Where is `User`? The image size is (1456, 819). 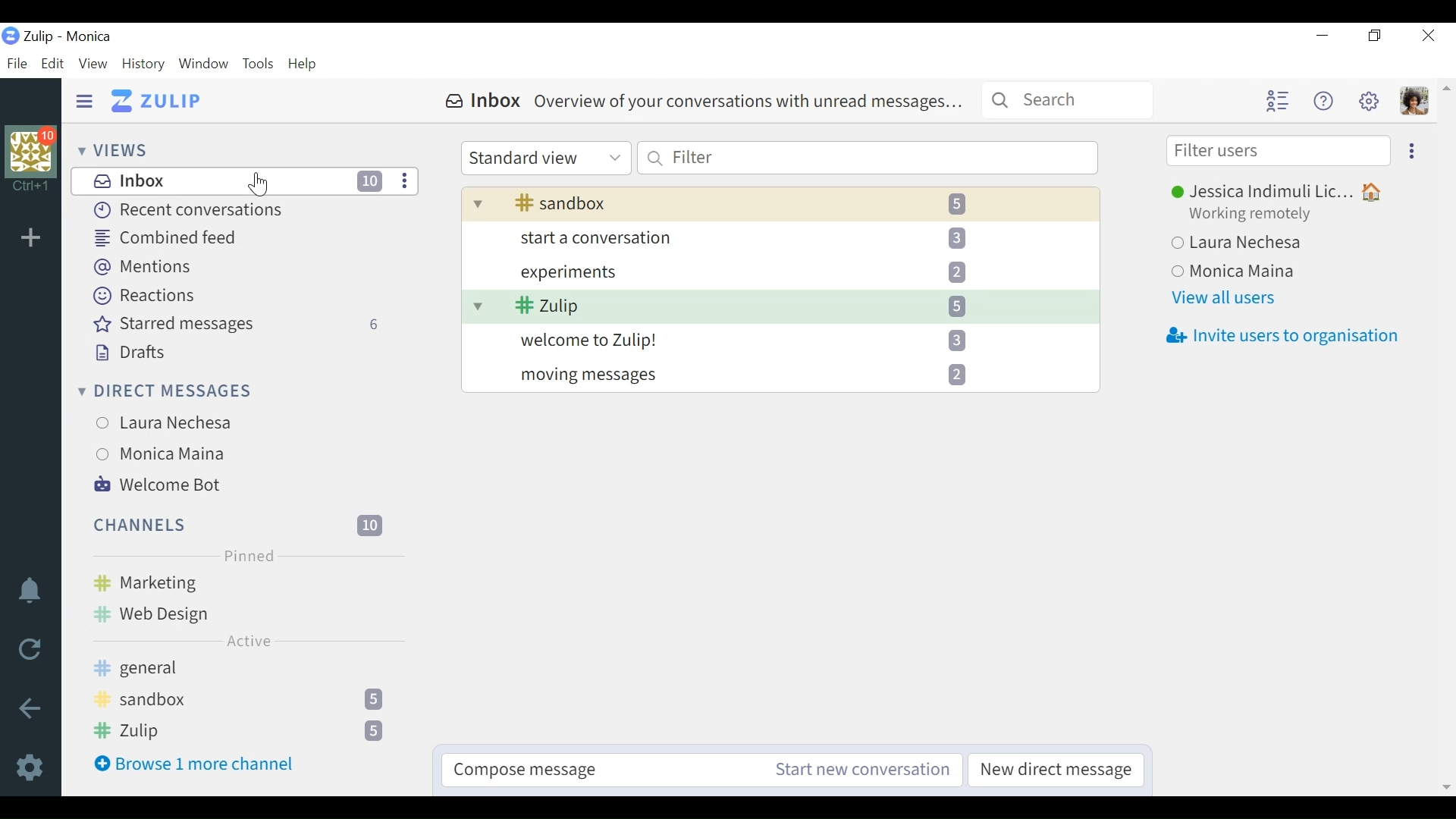
User is located at coordinates (1241, 272).